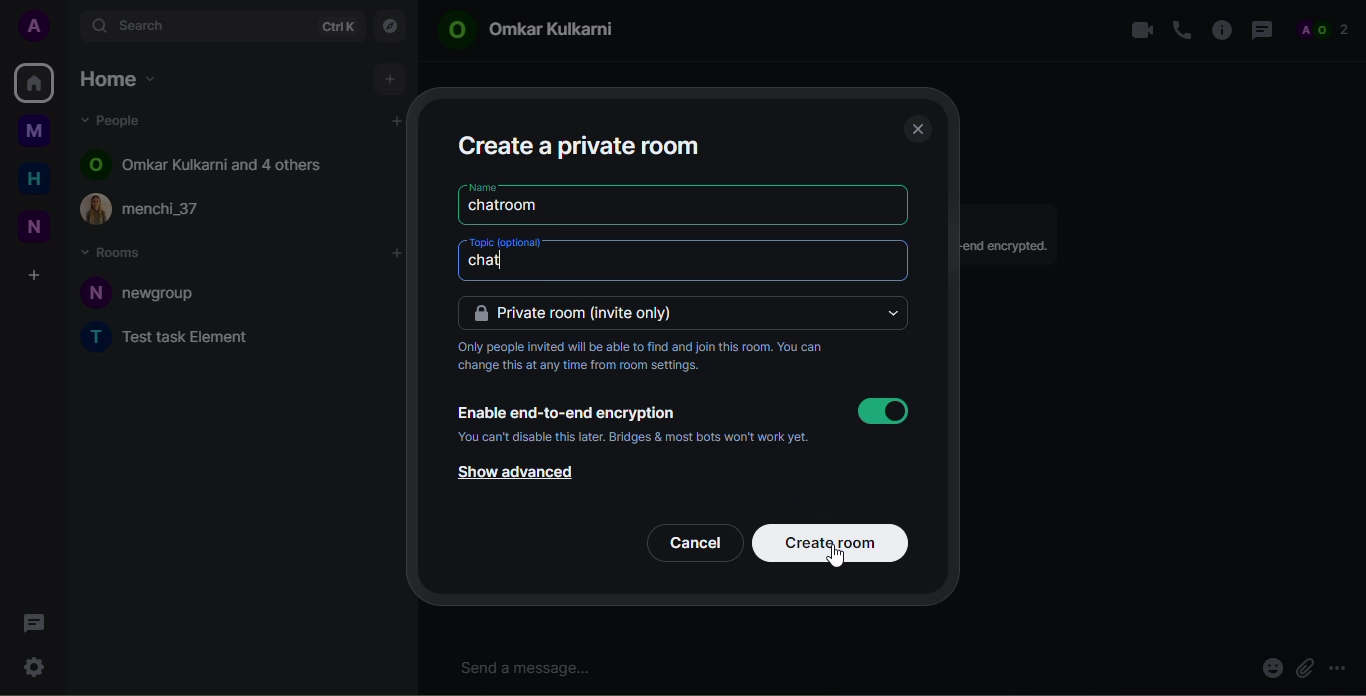  What do you see at coordinates (511, 473) in the screenshot?
I see `show advanced` at bounding box center [511, 473].